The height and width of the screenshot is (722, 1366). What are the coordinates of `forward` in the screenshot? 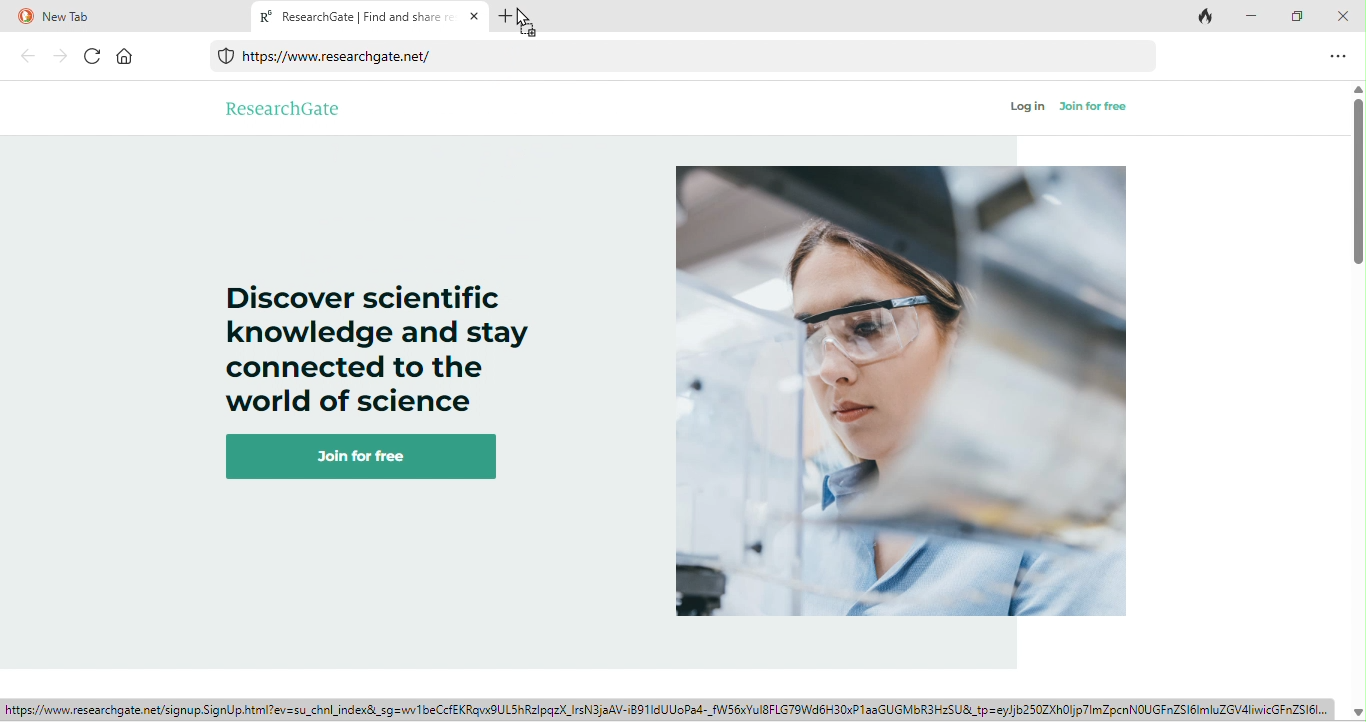 It's located at (61, 56).